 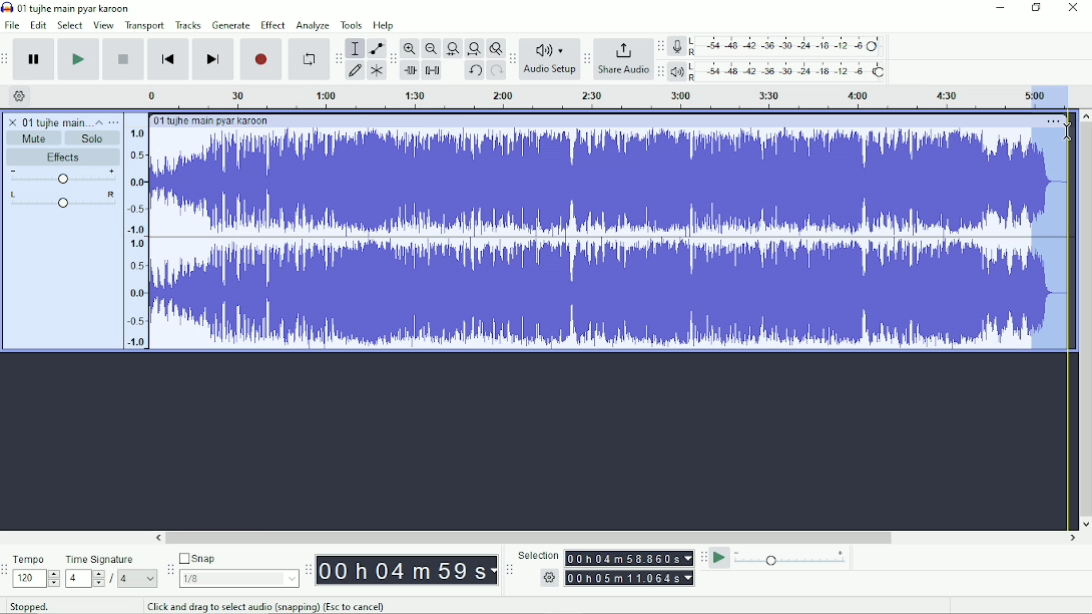 What do you see at coordinates (71, 26) in the screenshot?
I see `Select` at bounding box center [71, 26].